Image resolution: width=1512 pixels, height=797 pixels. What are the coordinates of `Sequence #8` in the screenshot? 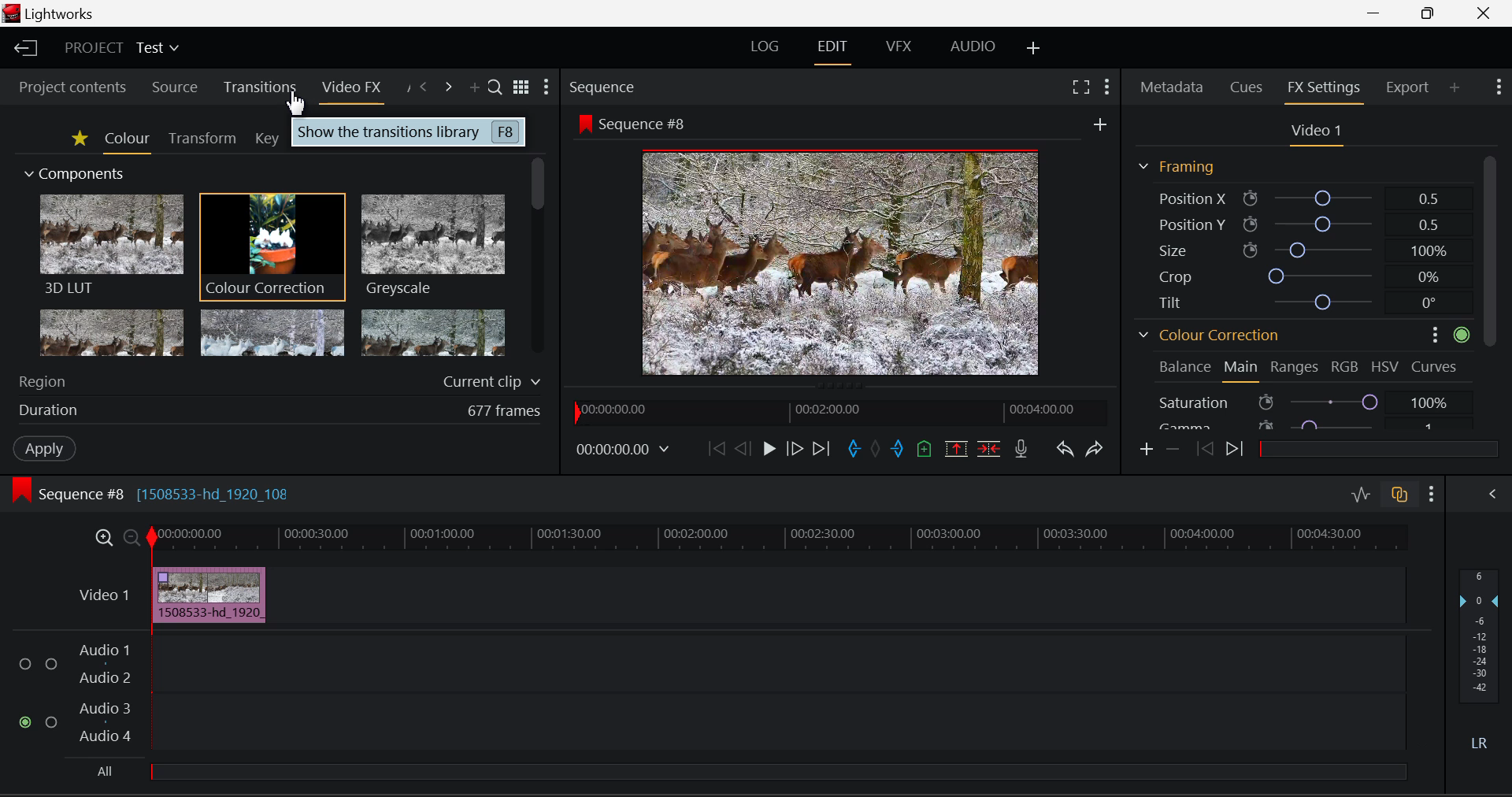 It's located at (632, 122).